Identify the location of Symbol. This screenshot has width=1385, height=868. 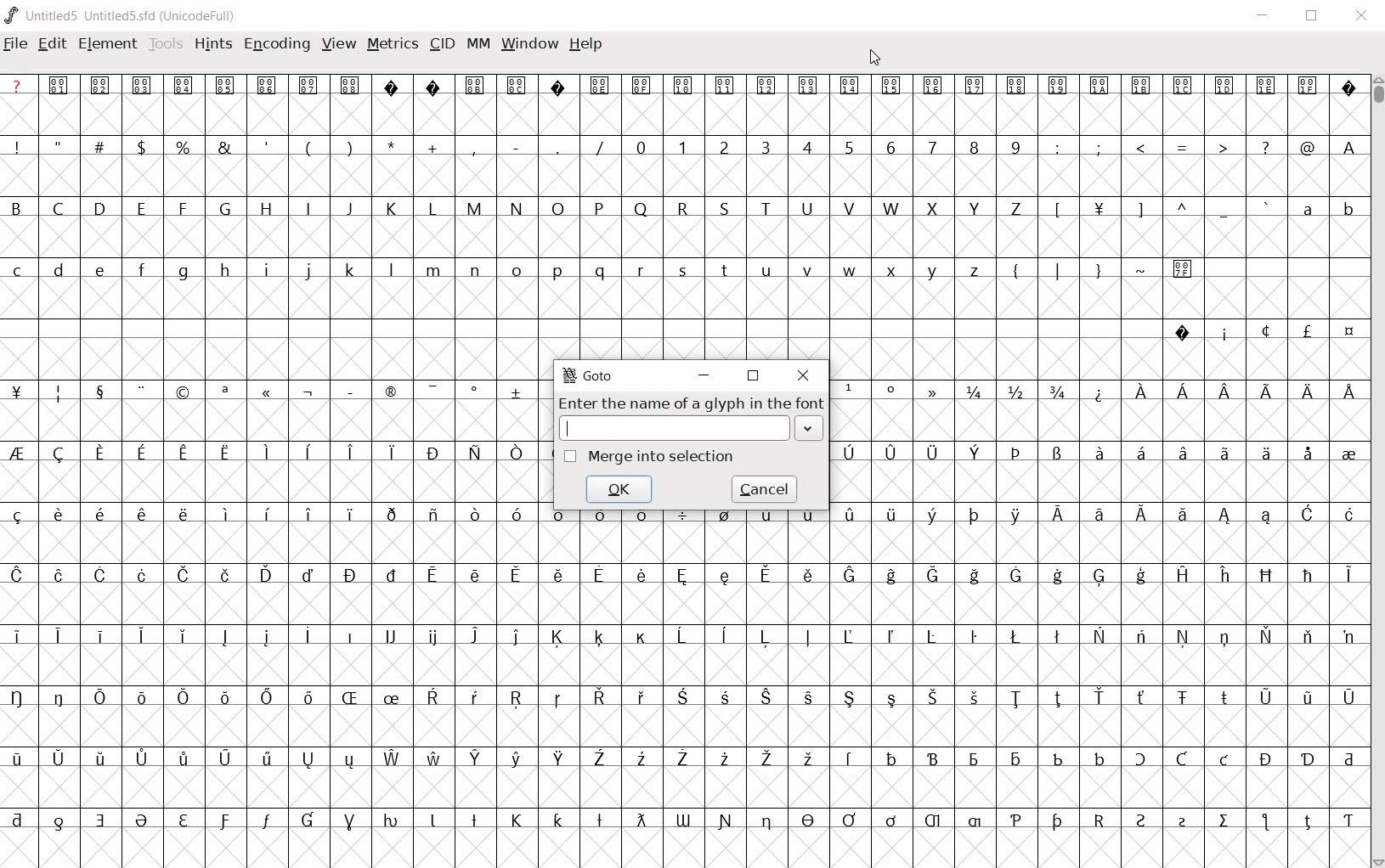
(224, 392).